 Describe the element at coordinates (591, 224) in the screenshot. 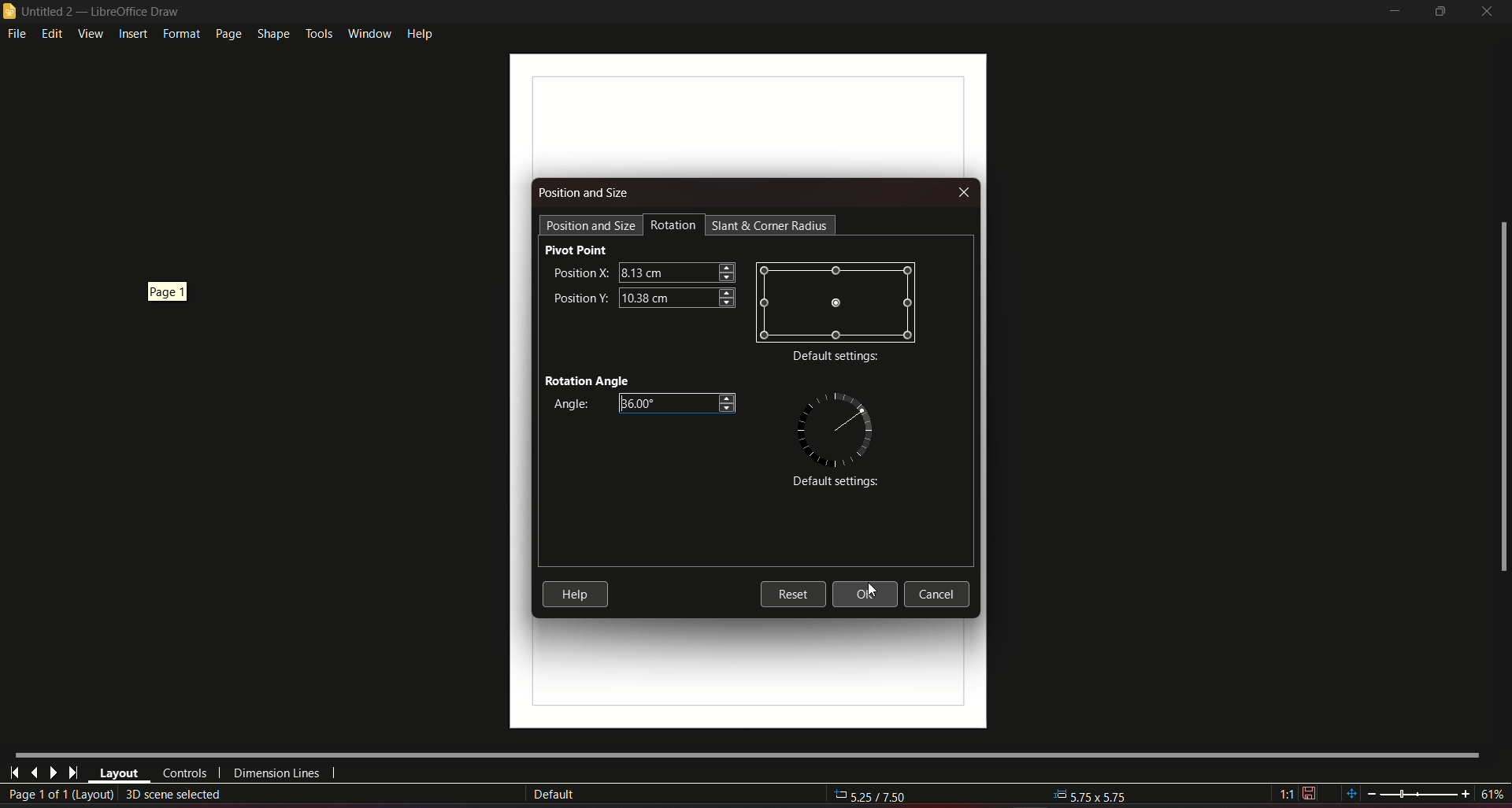

I see `position and size` at that location.